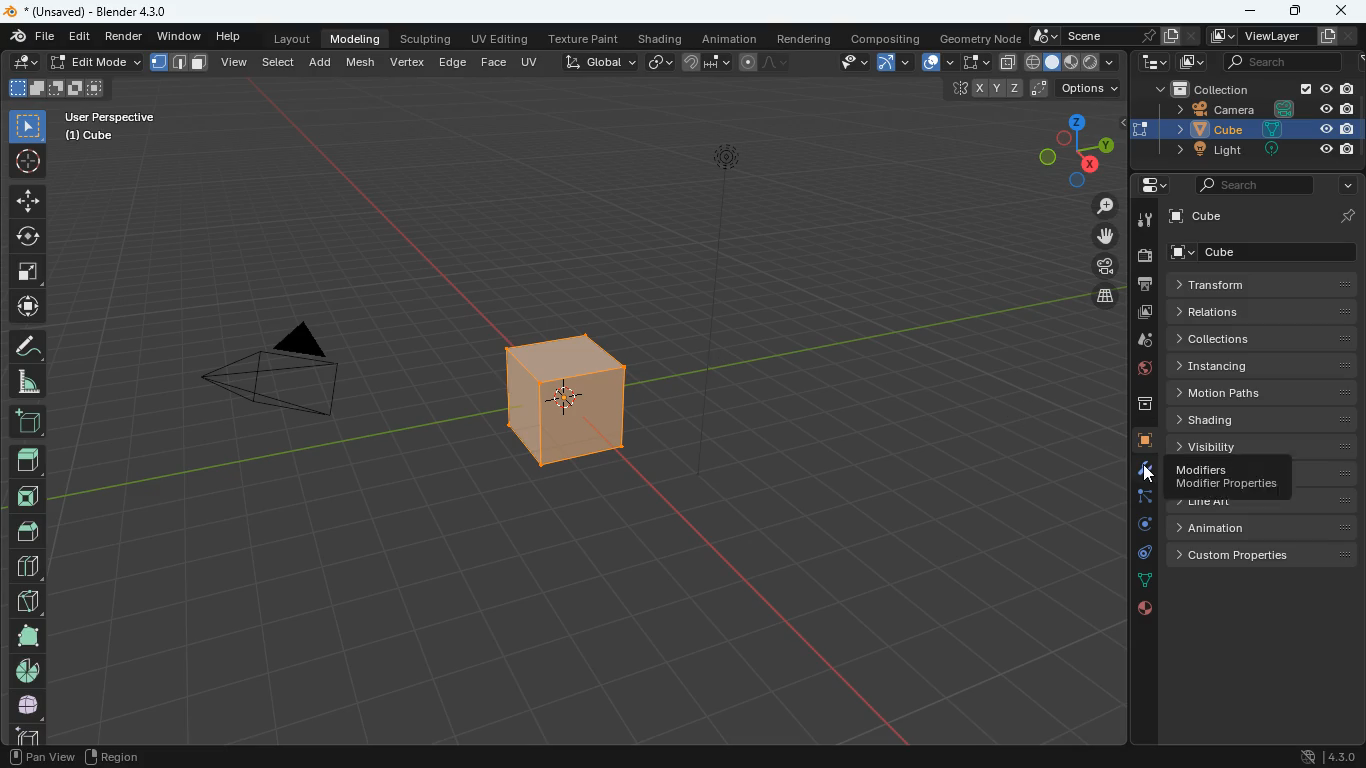 The height and width of the screenshot is (768, 1366). I want to click on top, so click(28, 464).